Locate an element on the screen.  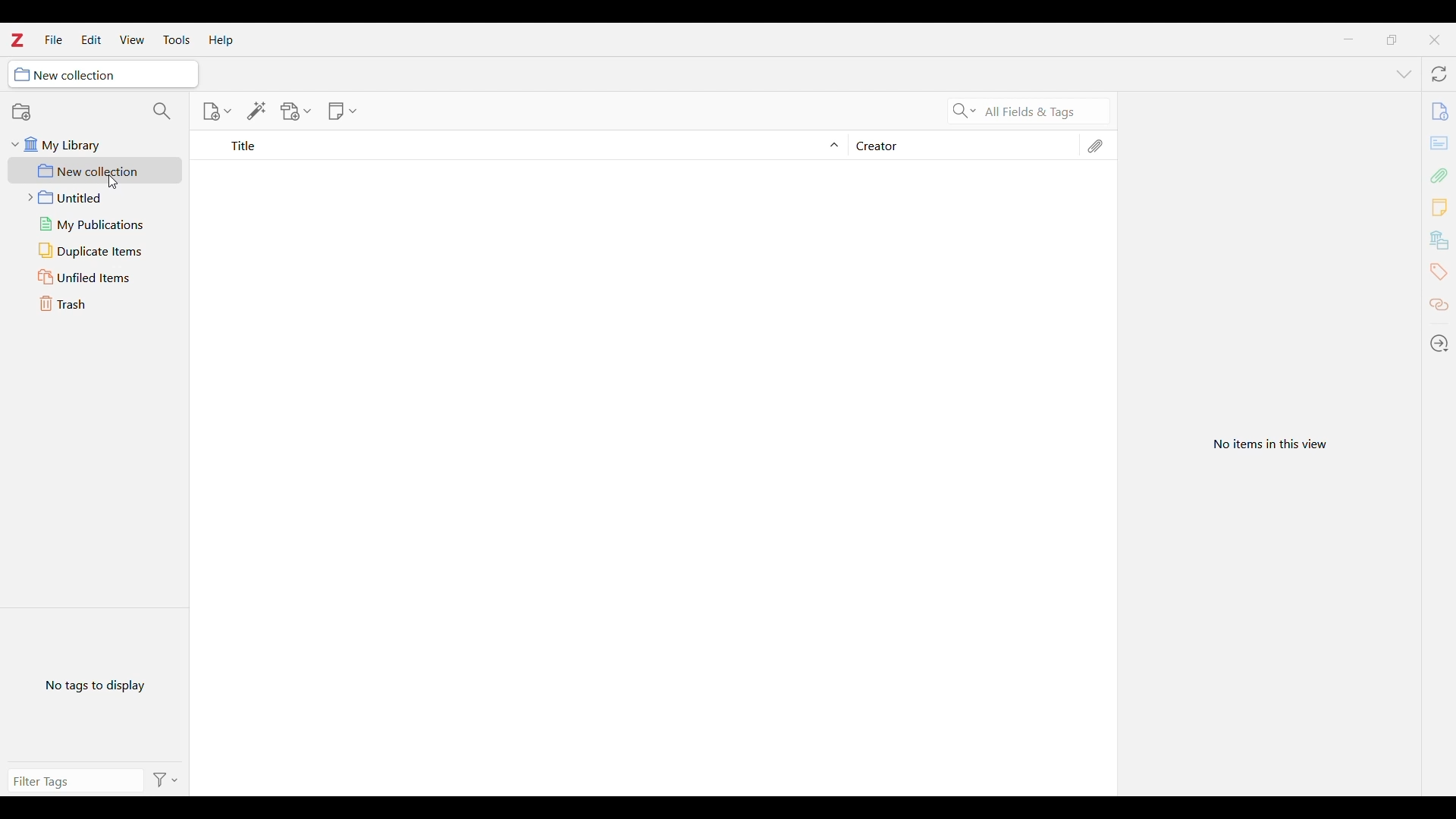
No tags to display  is located at coordinates (96, 686).